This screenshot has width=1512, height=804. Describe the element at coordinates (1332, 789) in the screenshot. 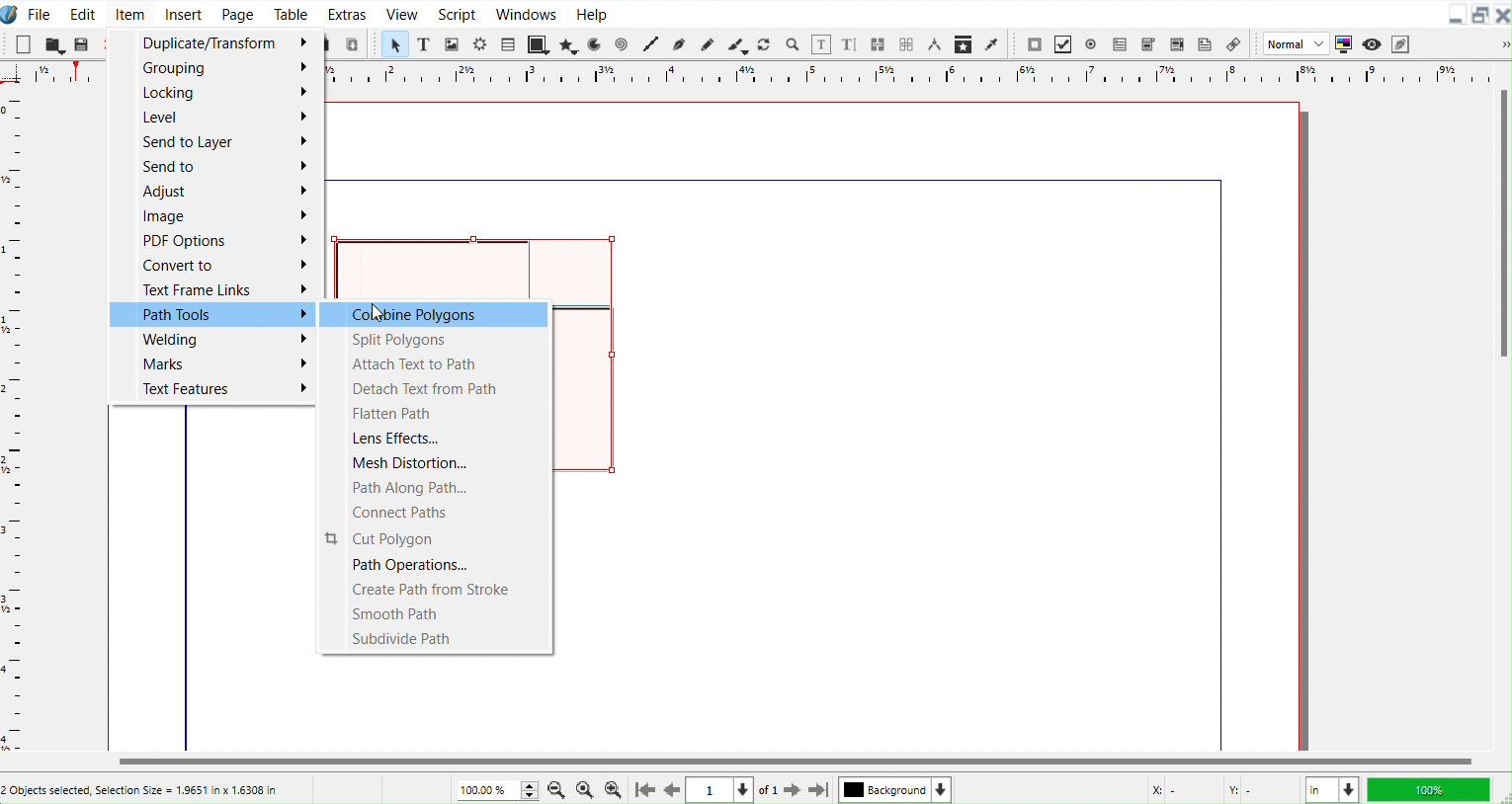

I see `Measurement in Inches ` at that location.